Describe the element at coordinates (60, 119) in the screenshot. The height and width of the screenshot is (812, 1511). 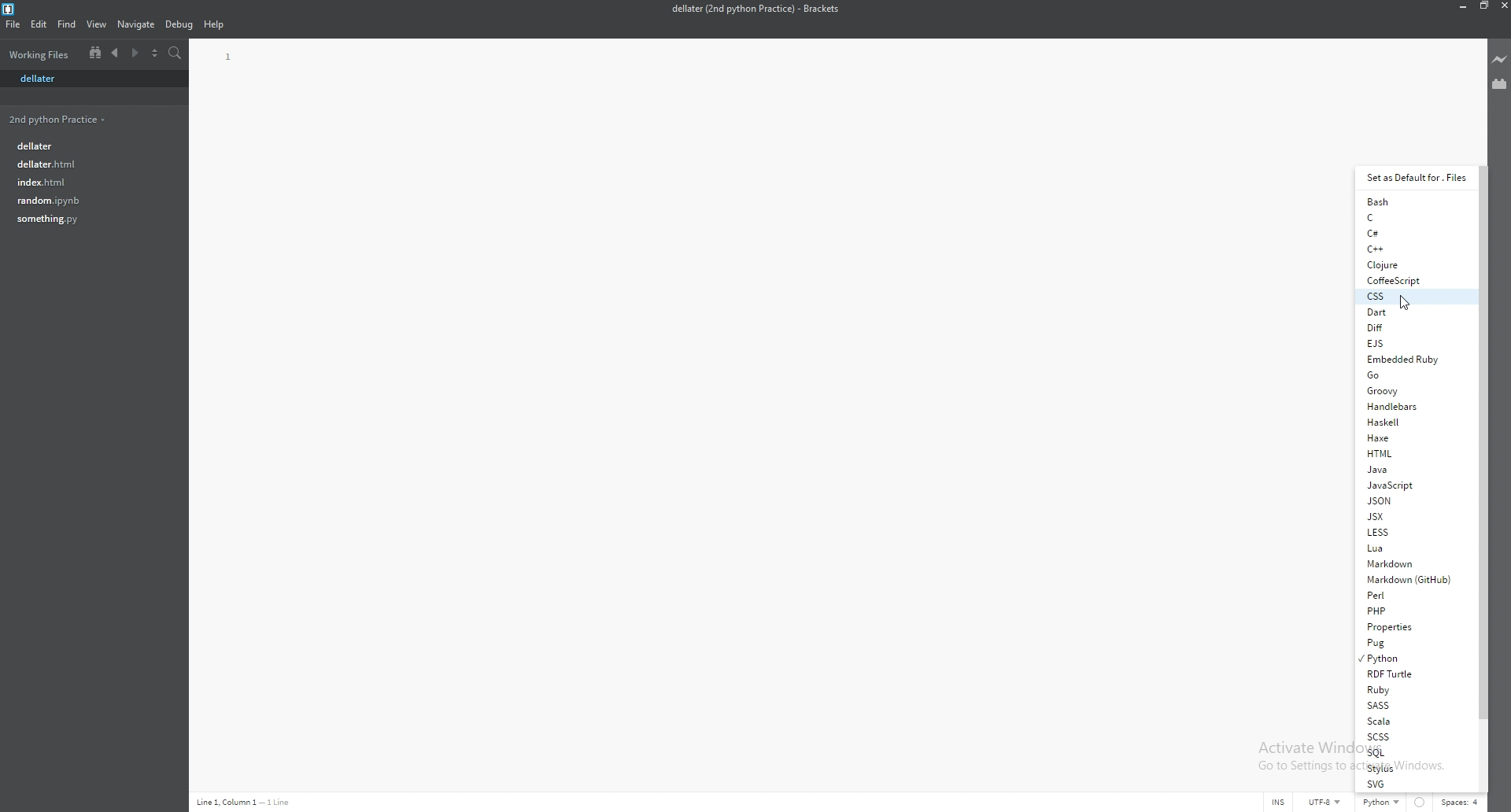
I see `folder` at that location.